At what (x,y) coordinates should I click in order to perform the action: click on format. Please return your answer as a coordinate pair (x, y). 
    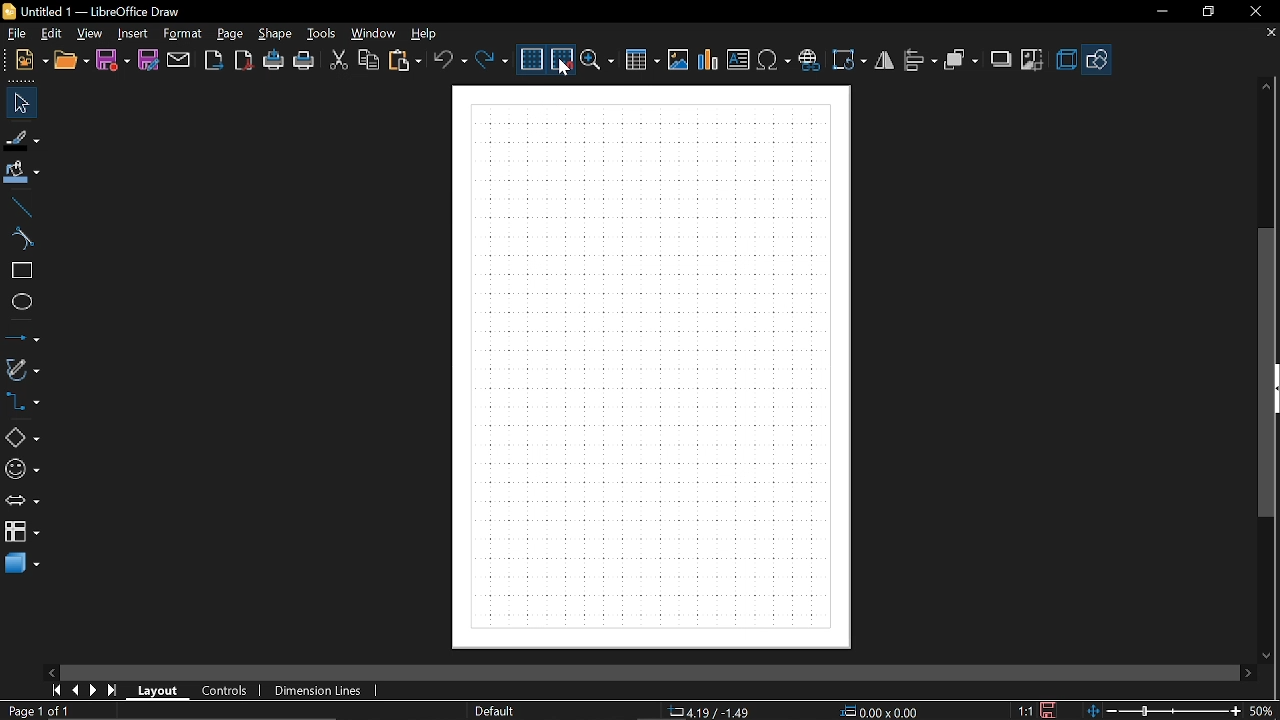
    Looking at the image, I should click on (182, 34).